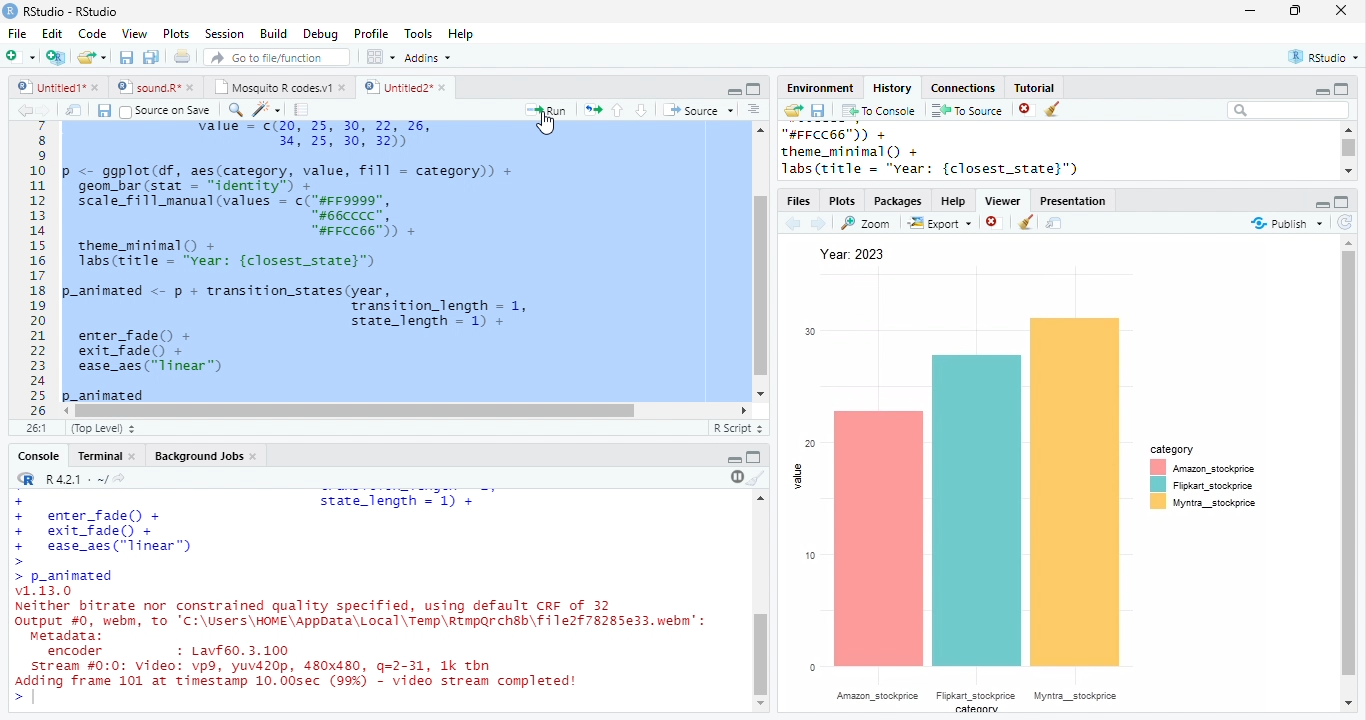  Describe the element at coordinates (135, 33) in the screenshot. I see `View` at that location.